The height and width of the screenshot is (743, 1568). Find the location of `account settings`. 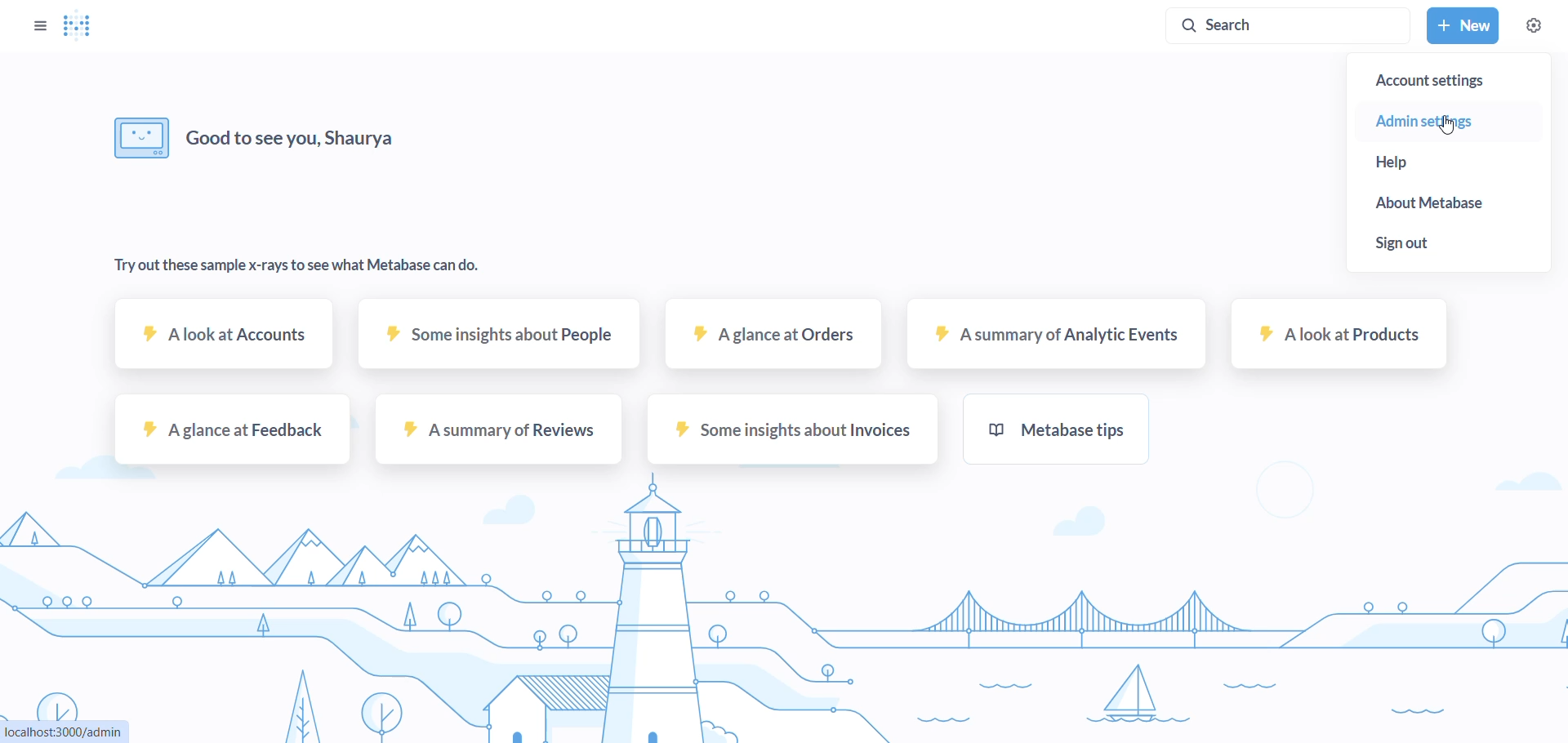

account settings is located at coordinates (1458, 80).